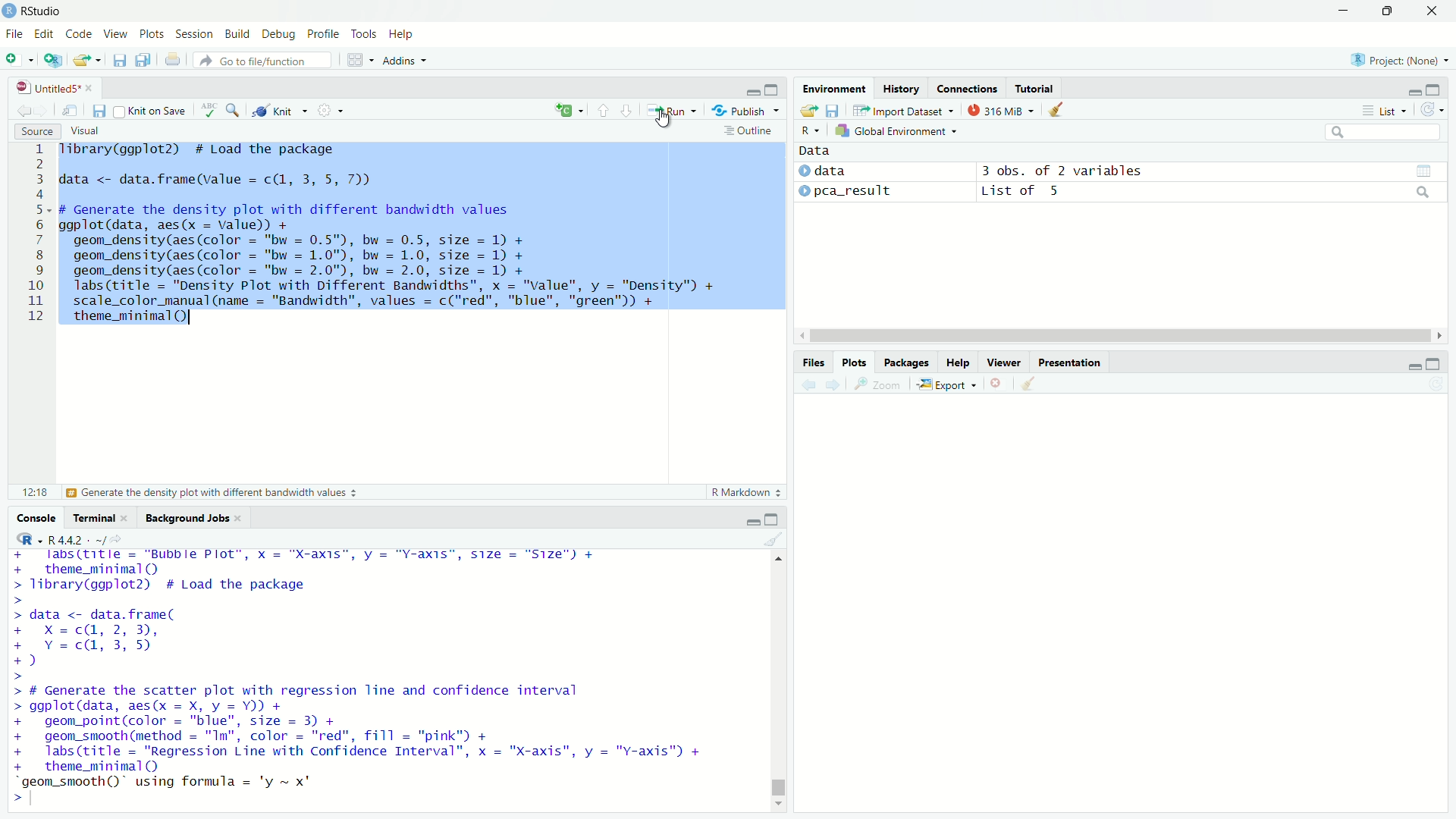  What do you see at coordinates (237, 33) in the screenshot?
I see `Build` at bounding box center [237, 33].